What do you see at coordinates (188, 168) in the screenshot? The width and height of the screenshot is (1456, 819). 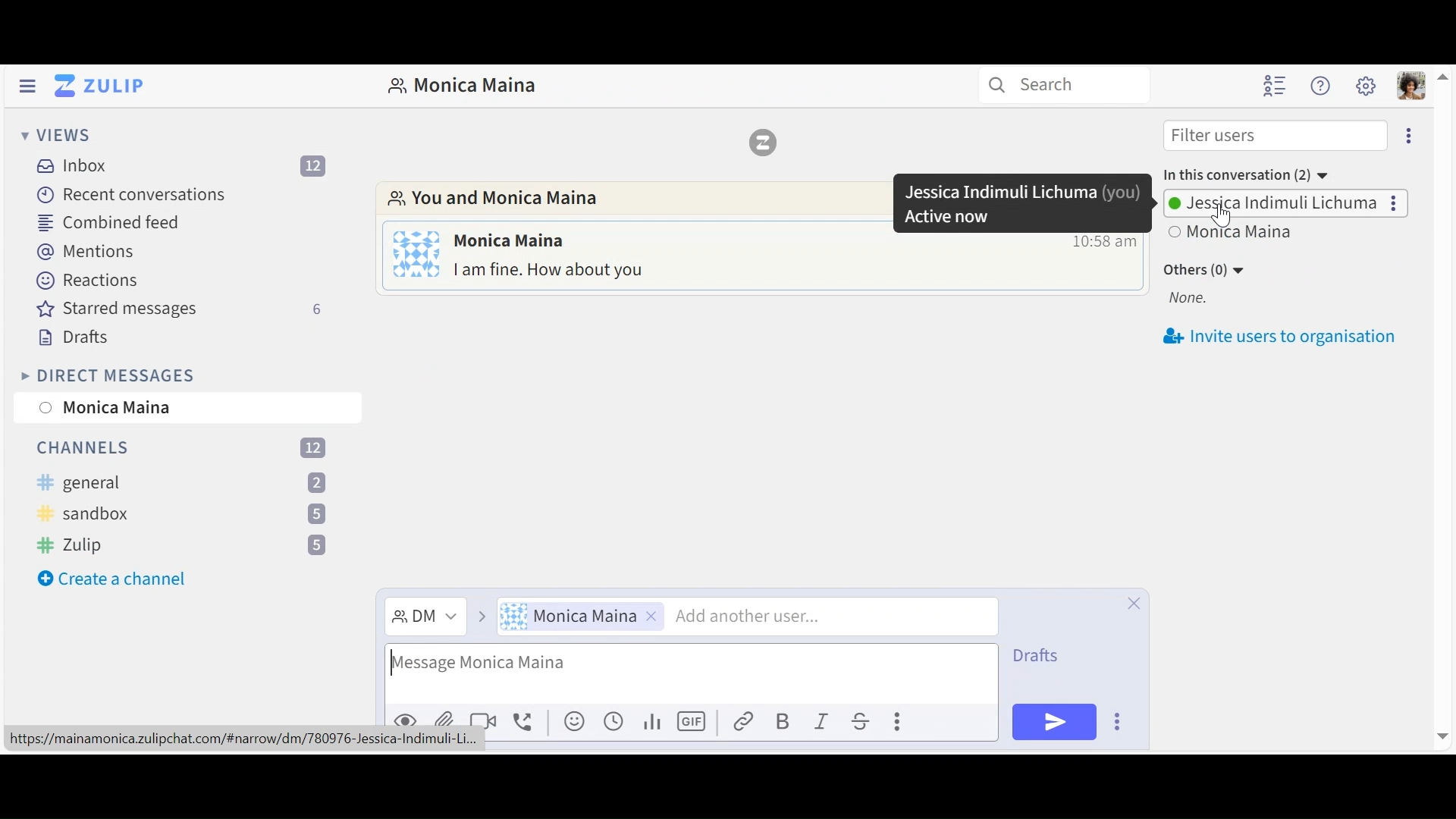 I see `Inbox` at bounding box center [188, 168].